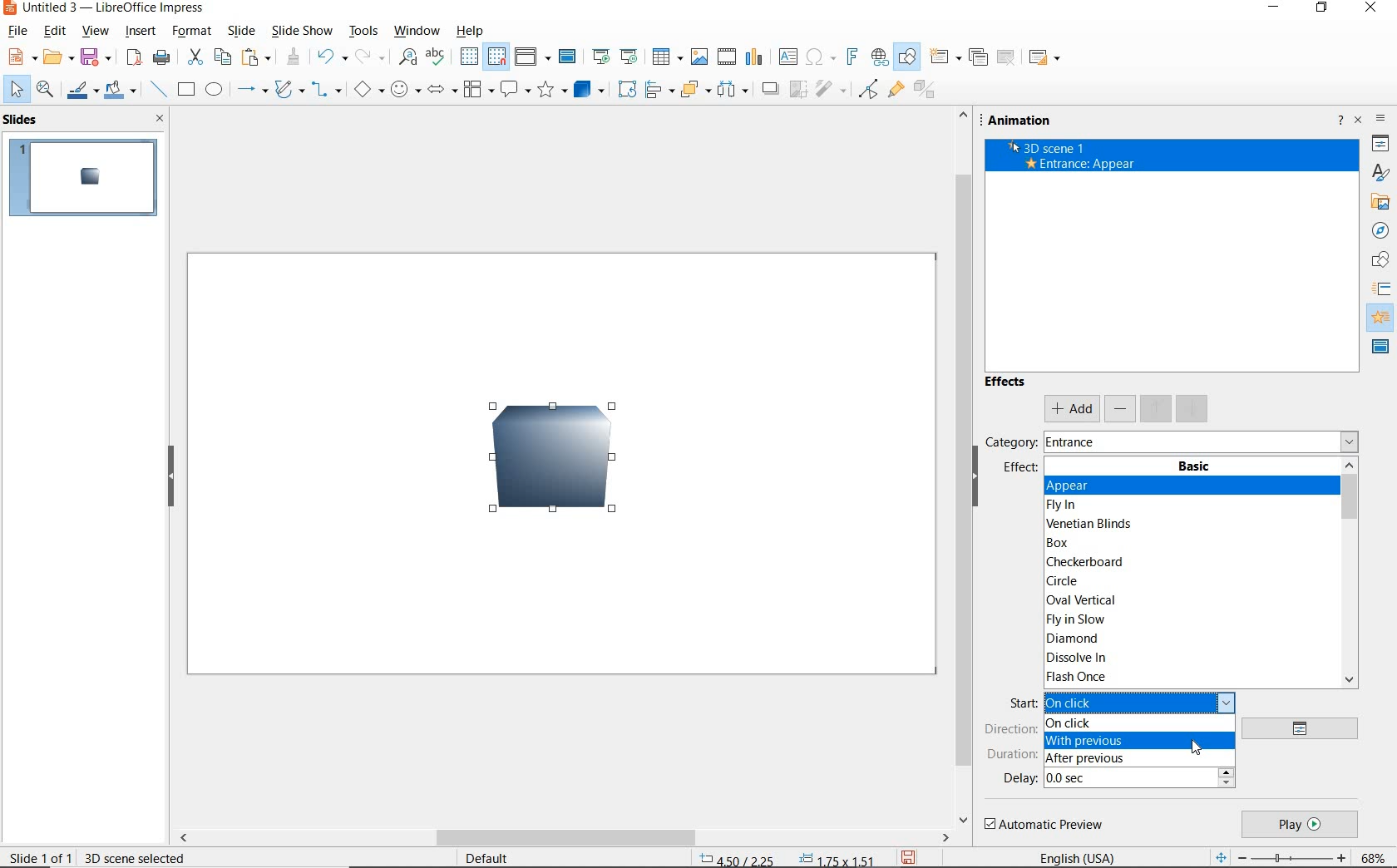  Describe the element at coordinates (1299, 825) in the screenshot. I see `play` at that location.